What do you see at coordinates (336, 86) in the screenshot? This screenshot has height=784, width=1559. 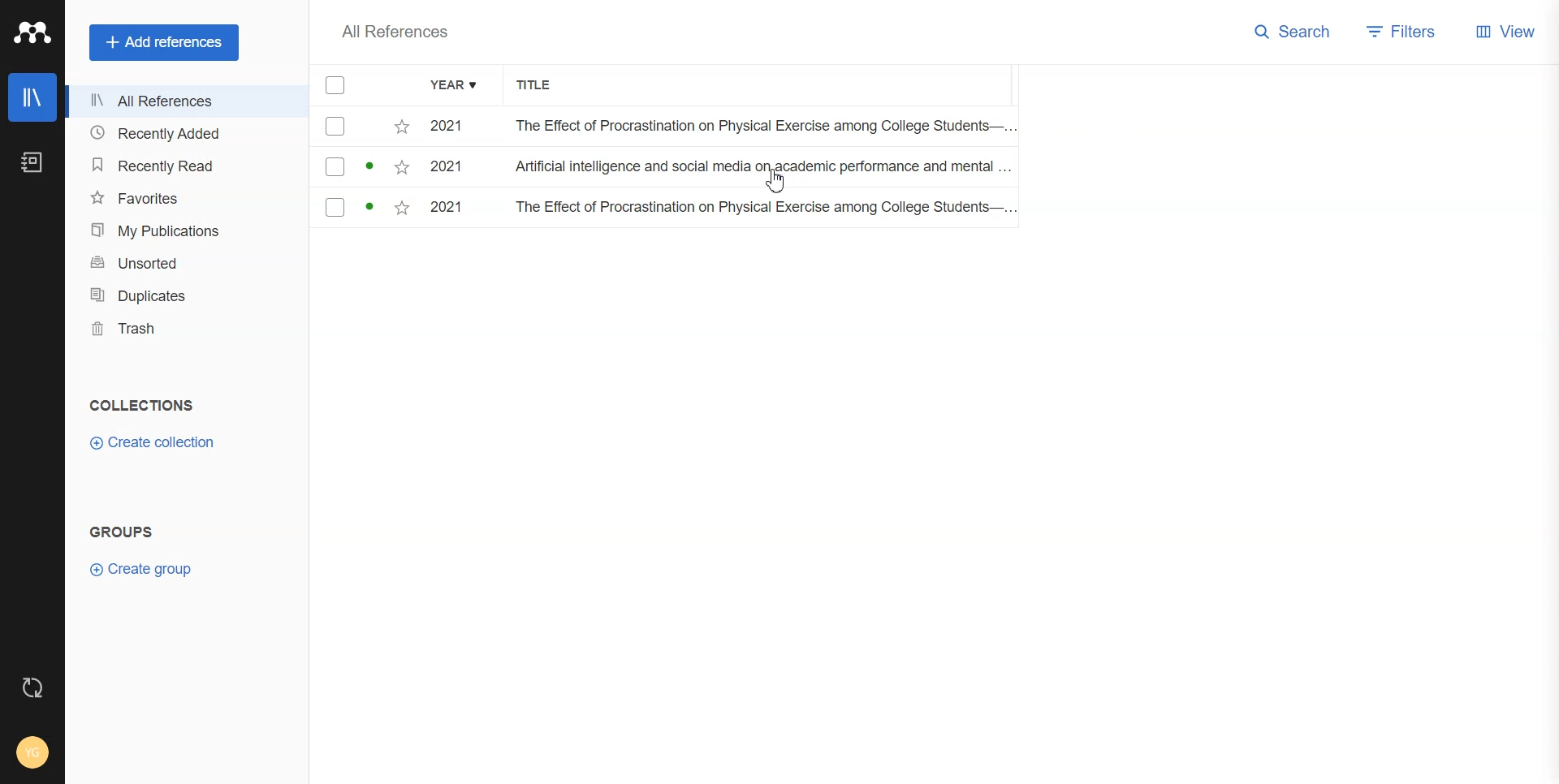 I see `Checkmarks` at bounding box center [336, 86].